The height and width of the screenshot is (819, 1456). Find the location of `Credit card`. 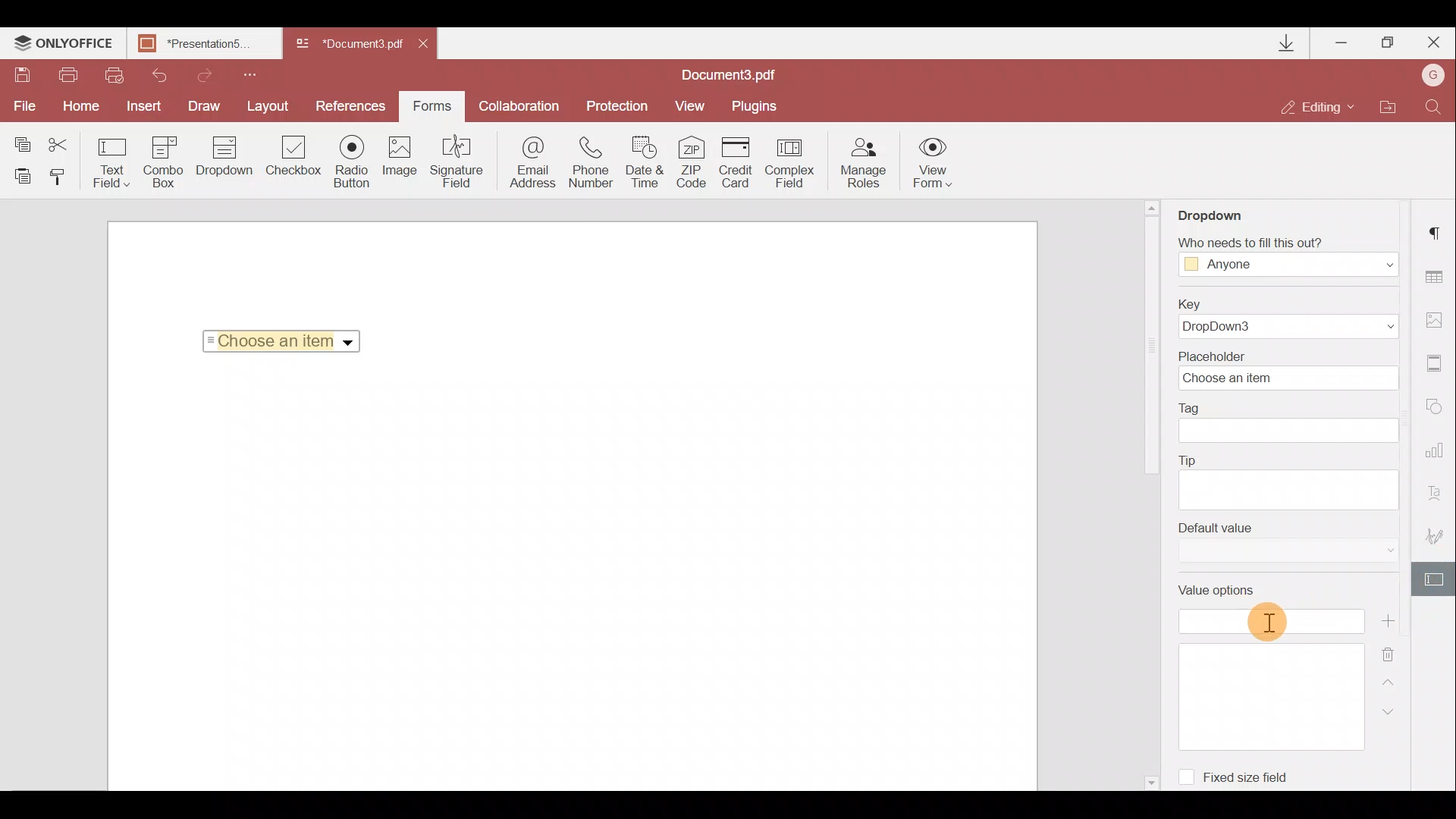

Credit card is located at coordinates (738, 161).